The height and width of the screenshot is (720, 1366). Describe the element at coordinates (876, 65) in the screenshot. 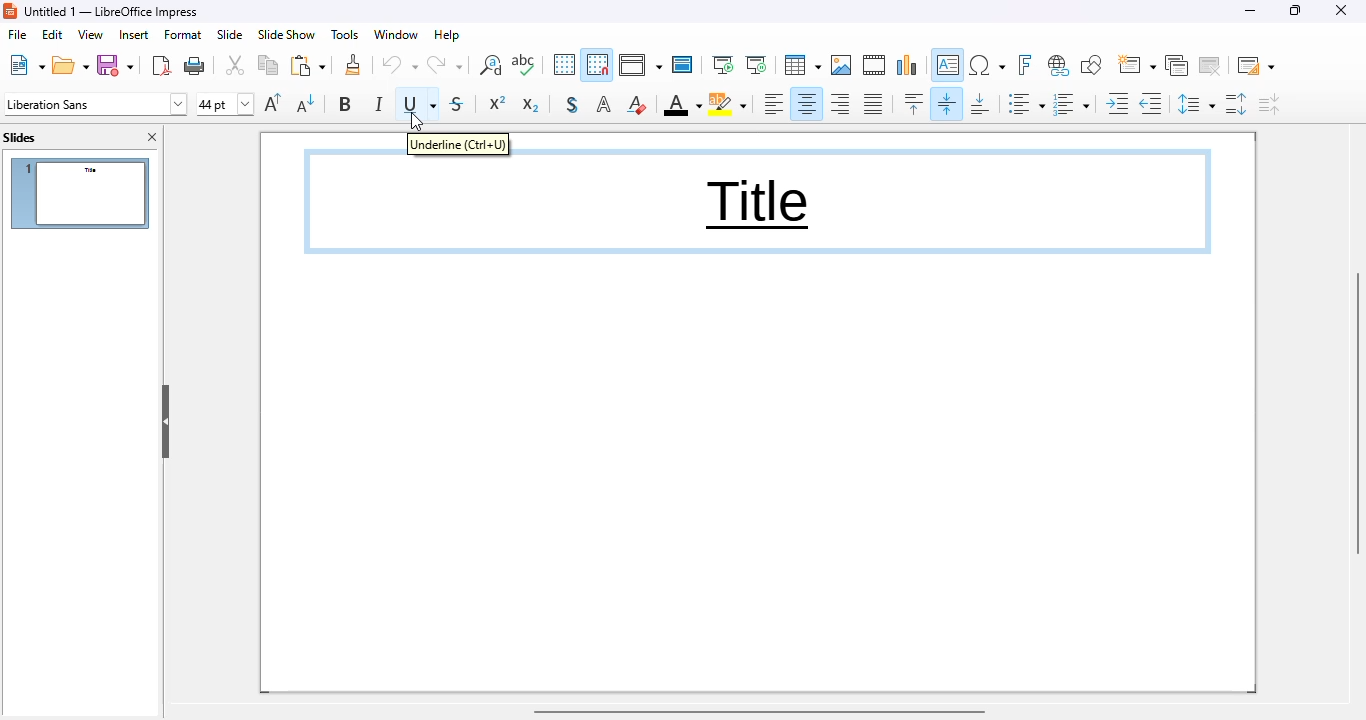

I see `insert audio or video` at that location.